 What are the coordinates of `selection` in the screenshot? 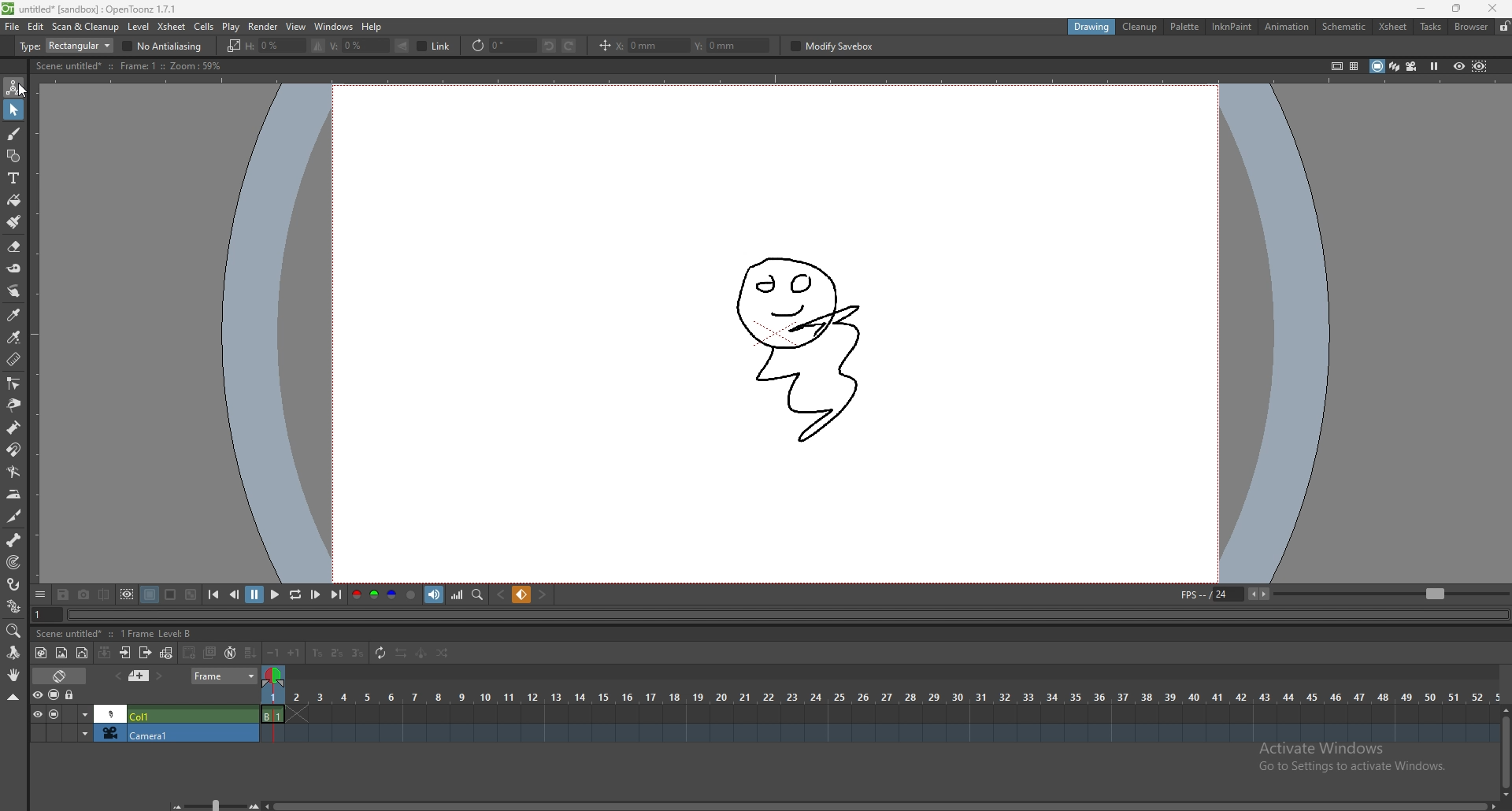 It's located at (14, 110).